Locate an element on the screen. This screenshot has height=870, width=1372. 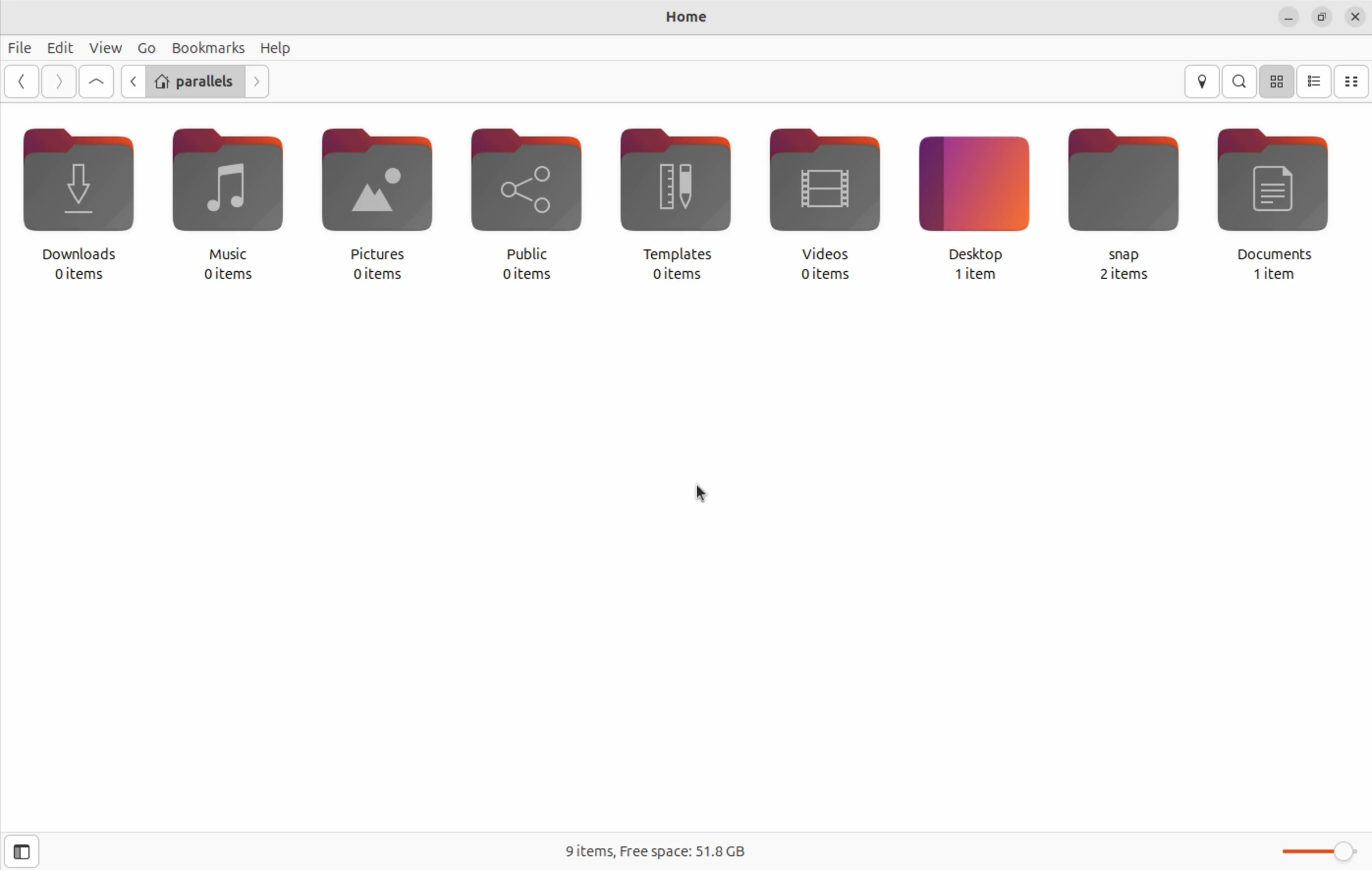
edit is located at coordinates (59, 46).